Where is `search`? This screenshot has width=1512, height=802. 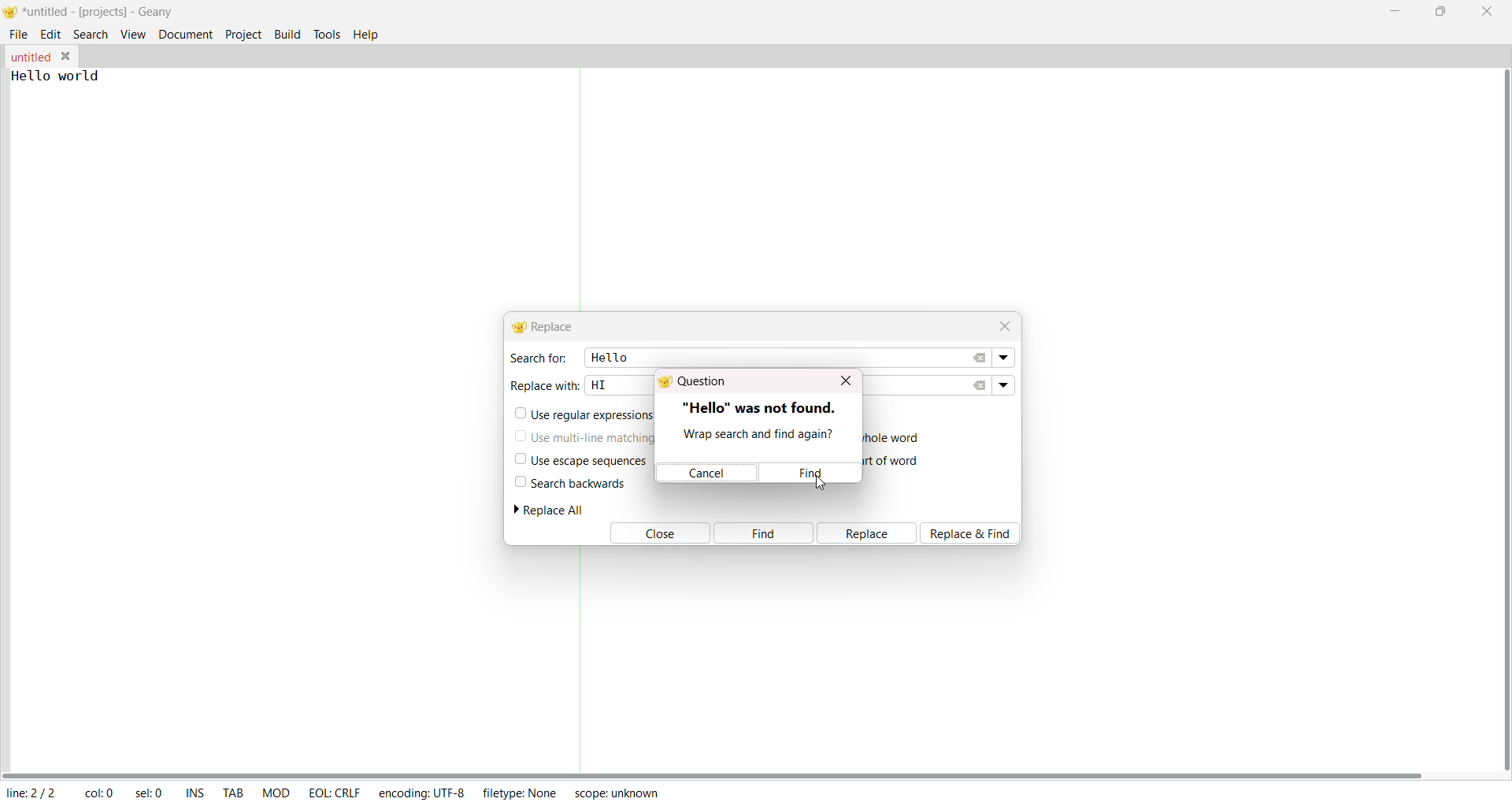 search is located at coordinates (91, 33).